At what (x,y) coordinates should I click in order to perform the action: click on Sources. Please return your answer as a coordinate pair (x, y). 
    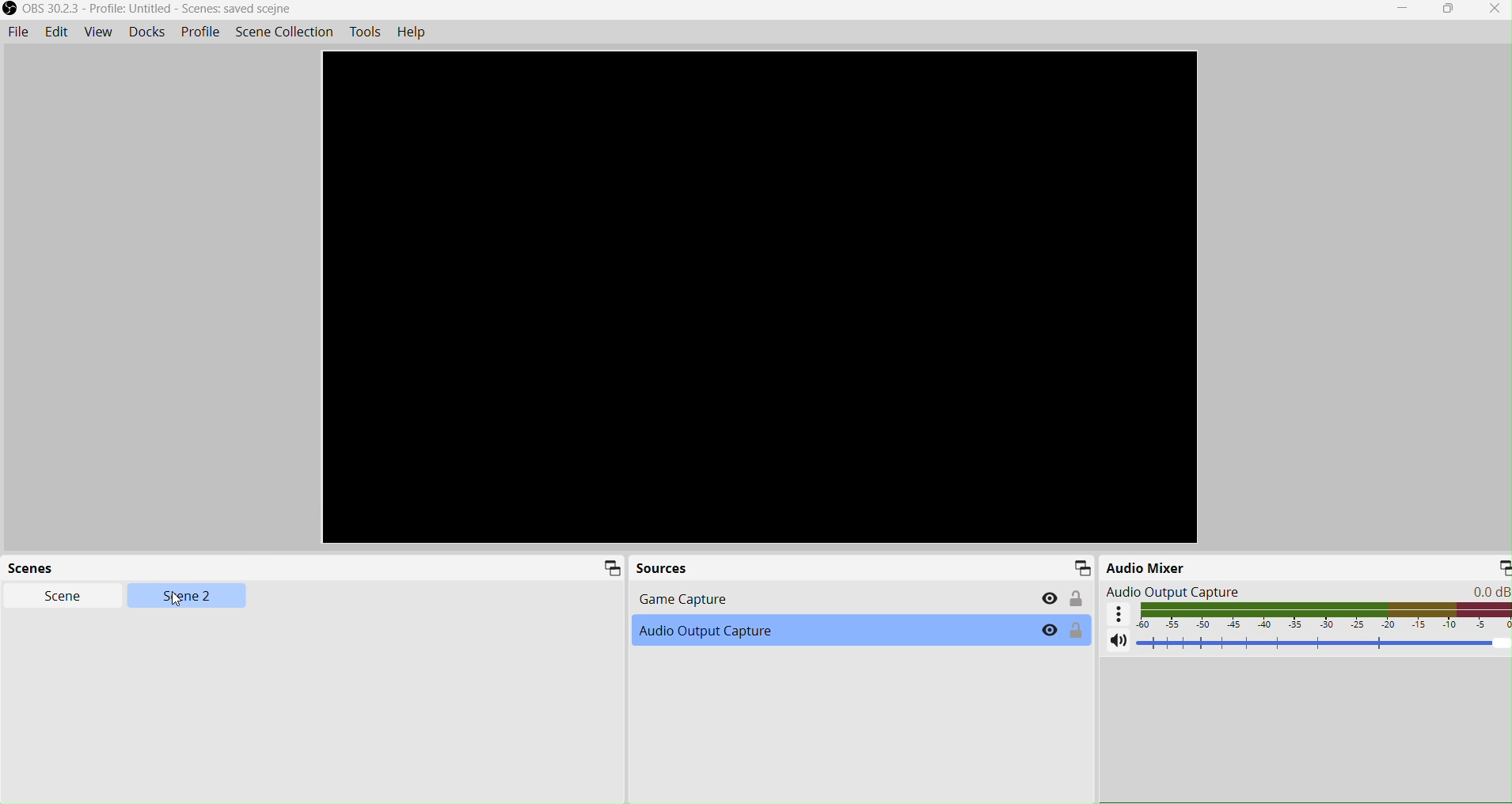
    Looking at the image, I should click on (663, 567).